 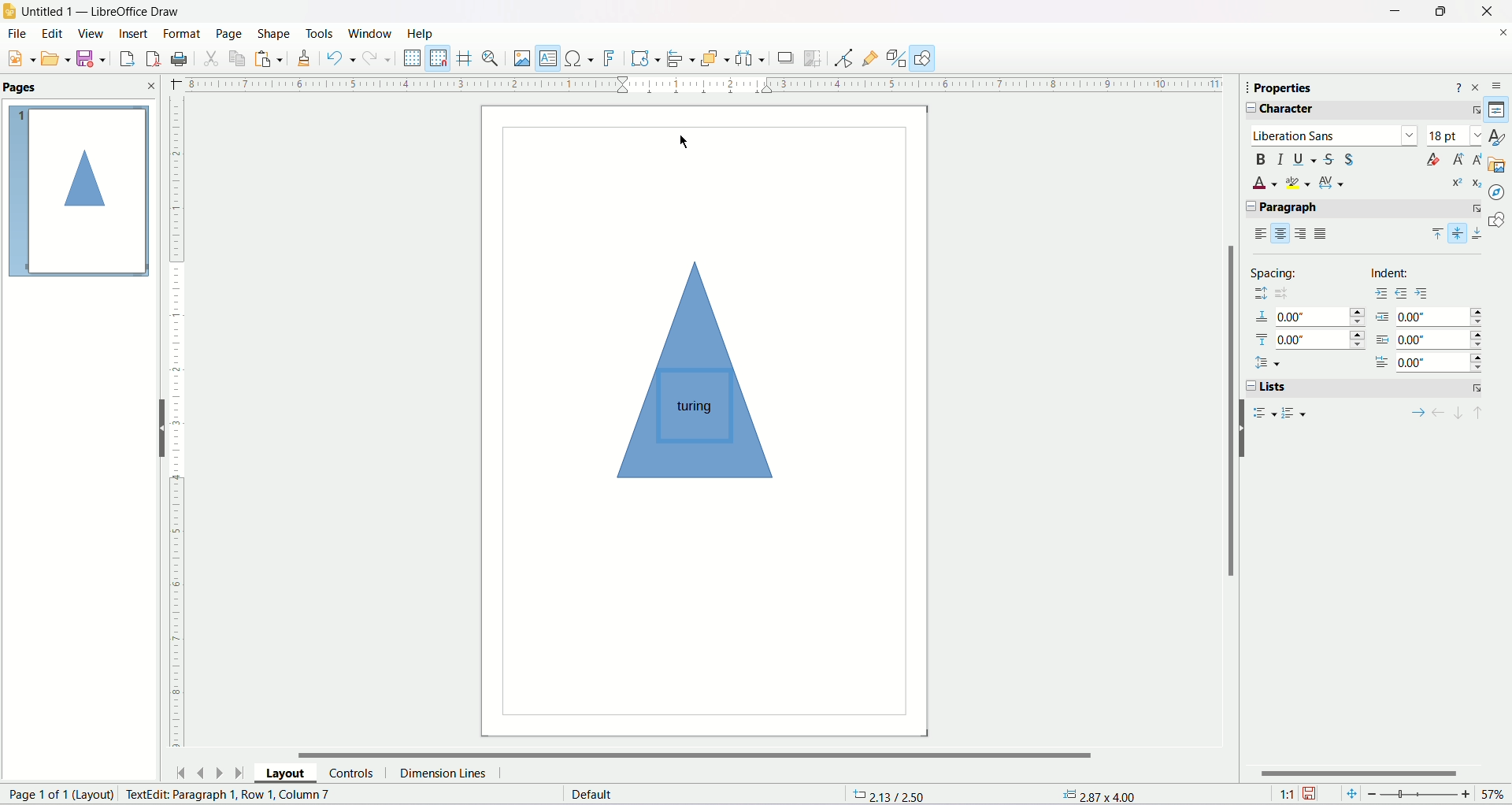 What do you see at coordinates (548, 57) in the screenshot?
I see `Insert text box` at bounding box center [548, 57].